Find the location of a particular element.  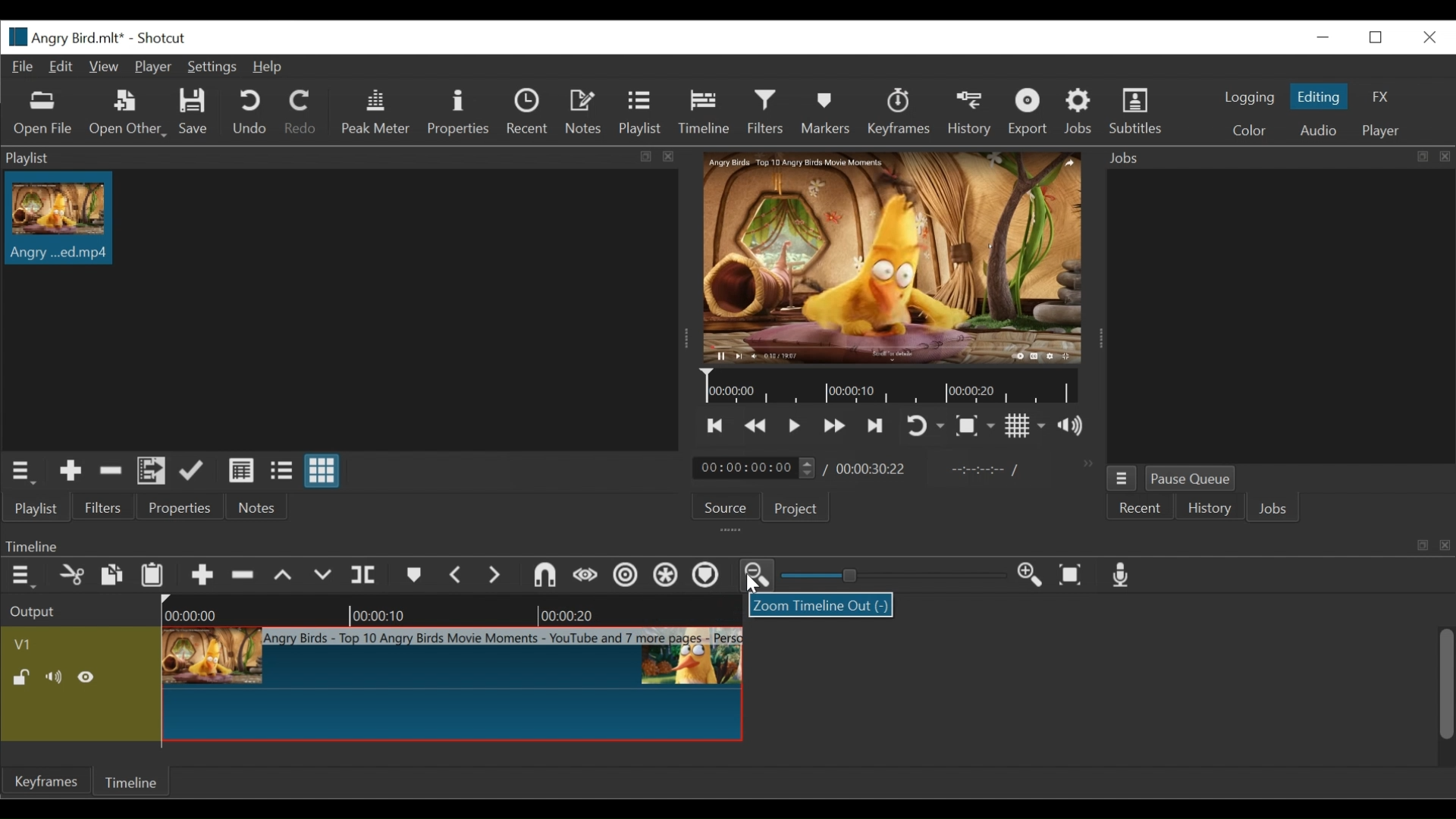

Vertical scroll bar is located at coordinates (1445, 683).